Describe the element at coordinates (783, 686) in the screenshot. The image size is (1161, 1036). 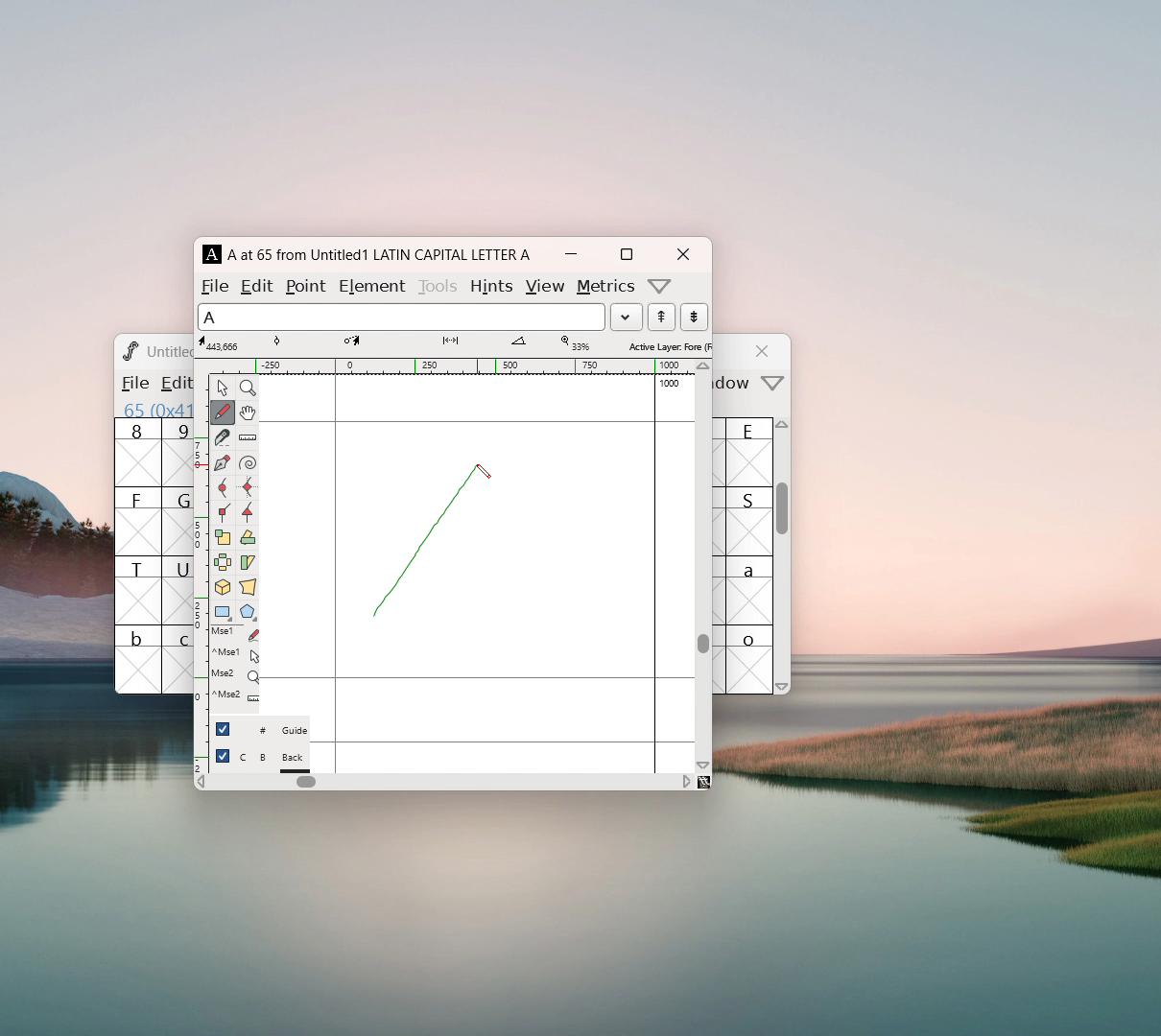
I see `scroll down` at that location.